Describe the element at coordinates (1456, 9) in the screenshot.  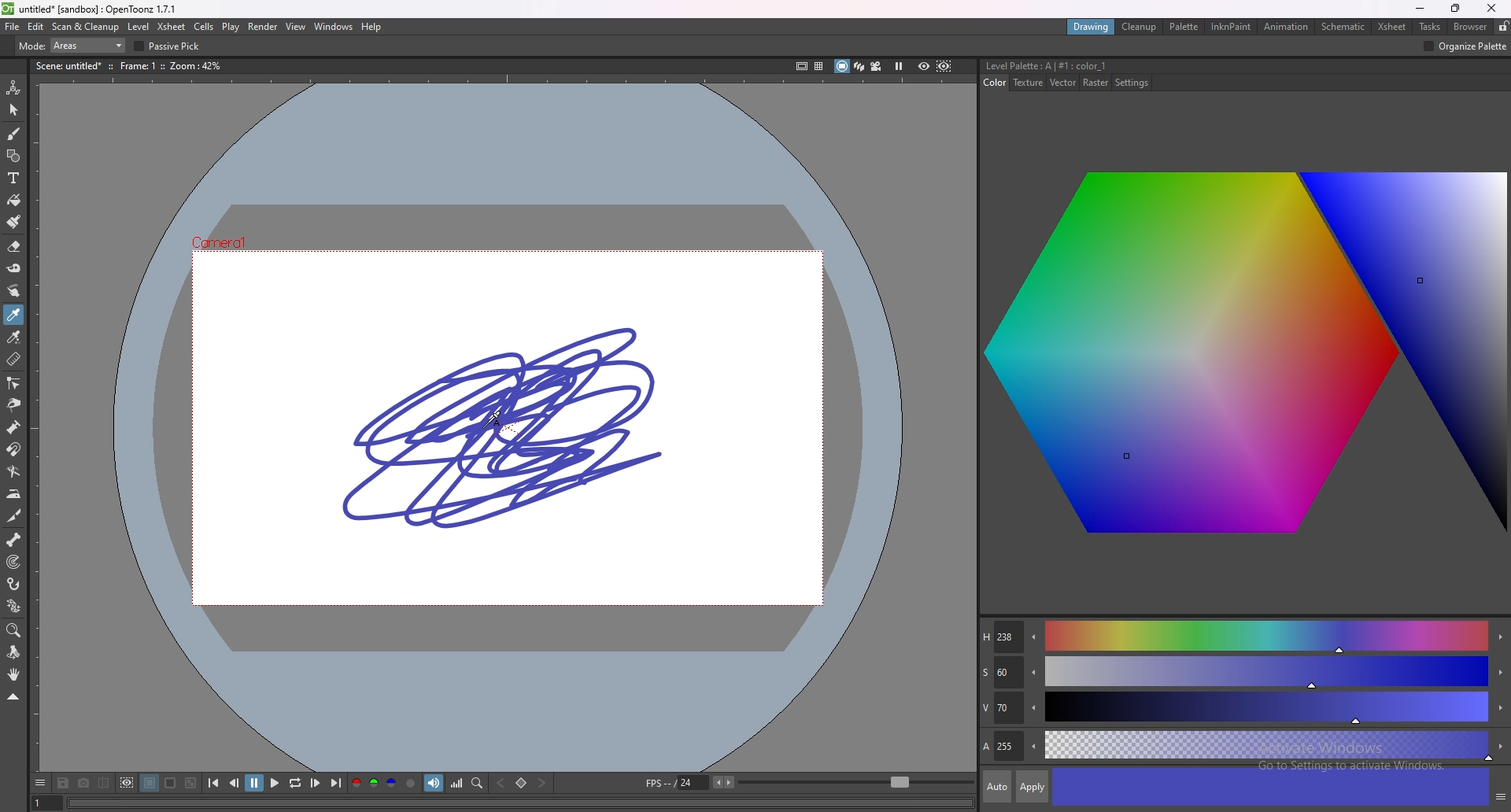
I see `resize` at that location.